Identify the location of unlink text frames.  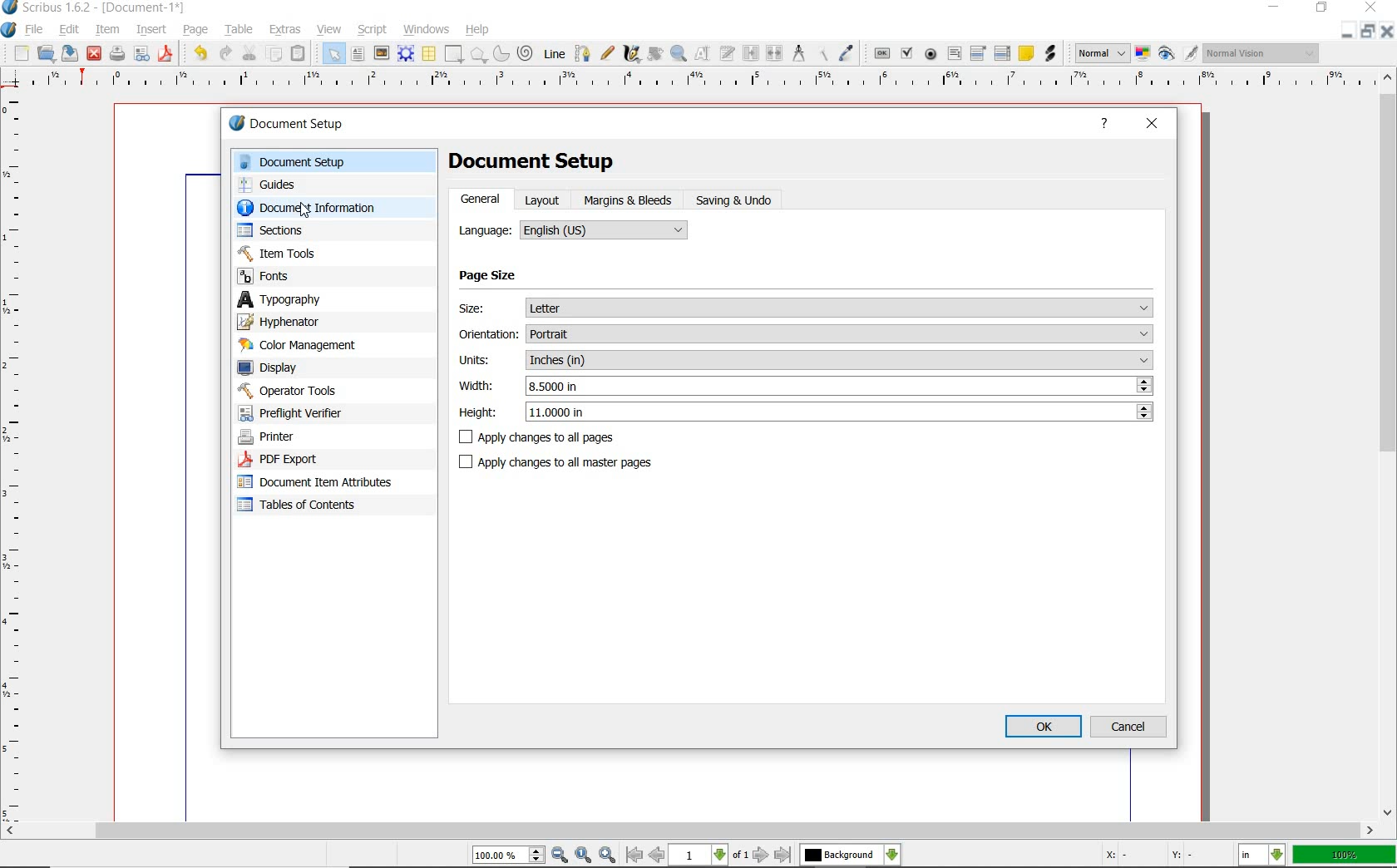
(775, 52).